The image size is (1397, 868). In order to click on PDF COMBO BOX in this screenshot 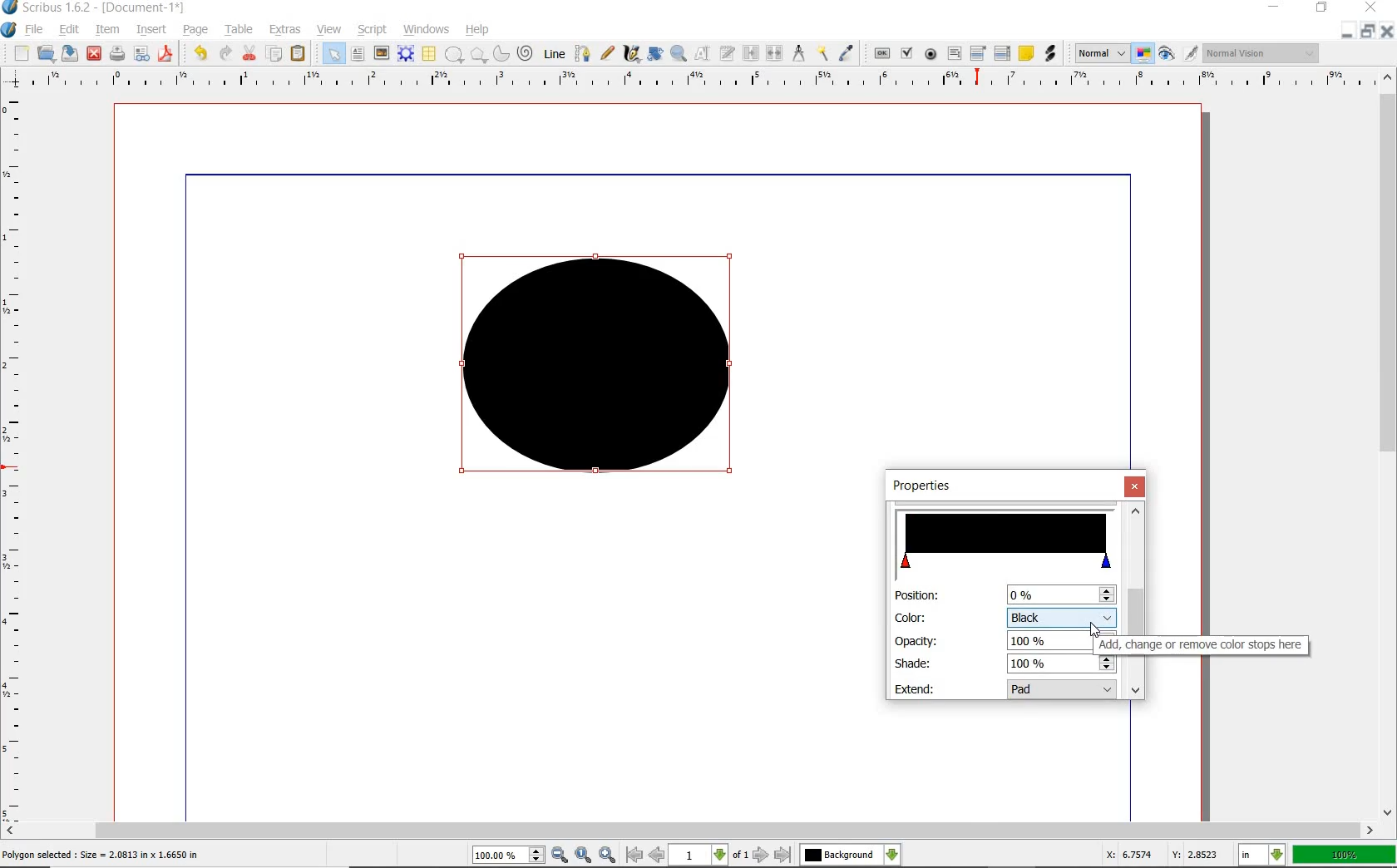, I will do `click(977, 52)`.